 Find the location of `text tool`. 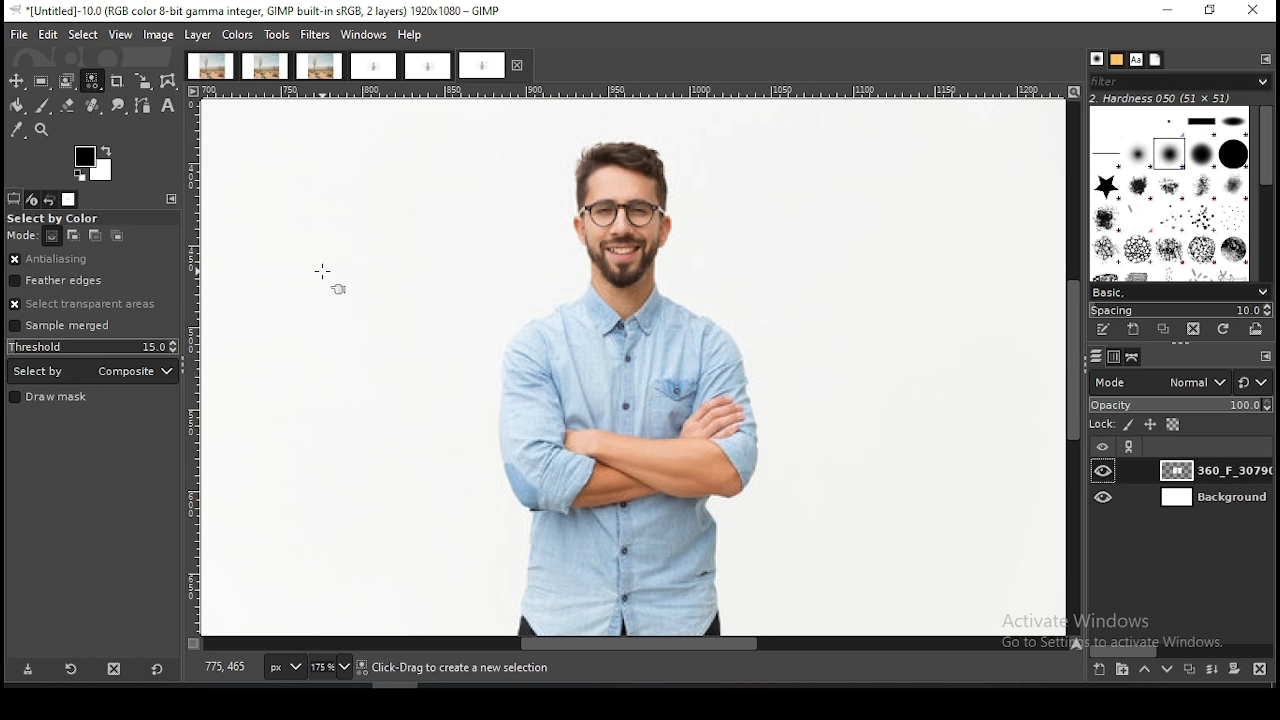

text tool is located at coordinates (168, 106).